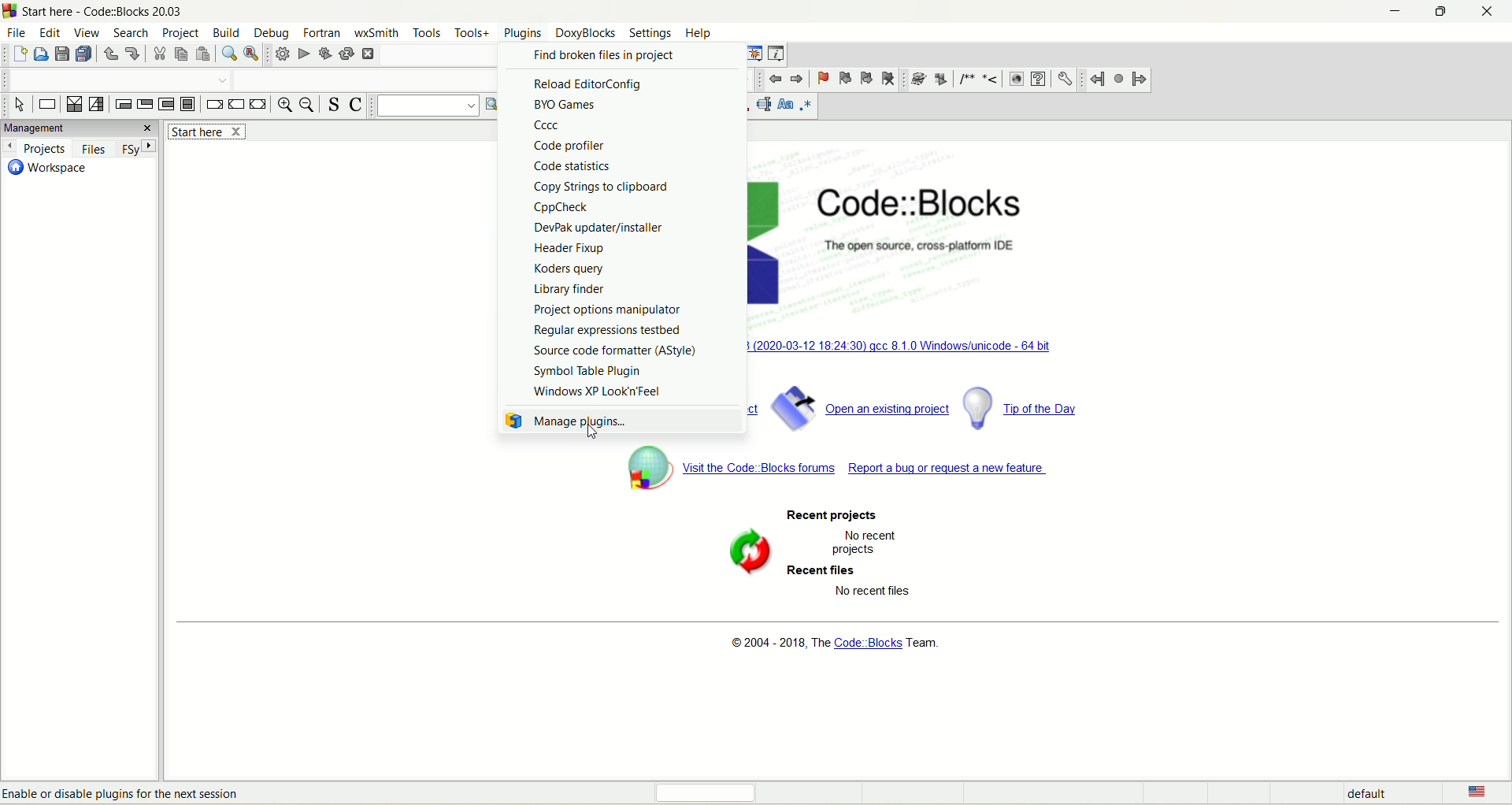  Describe the element at coordinates (569, 269) in the screenshot. I see `koders query` at that location.